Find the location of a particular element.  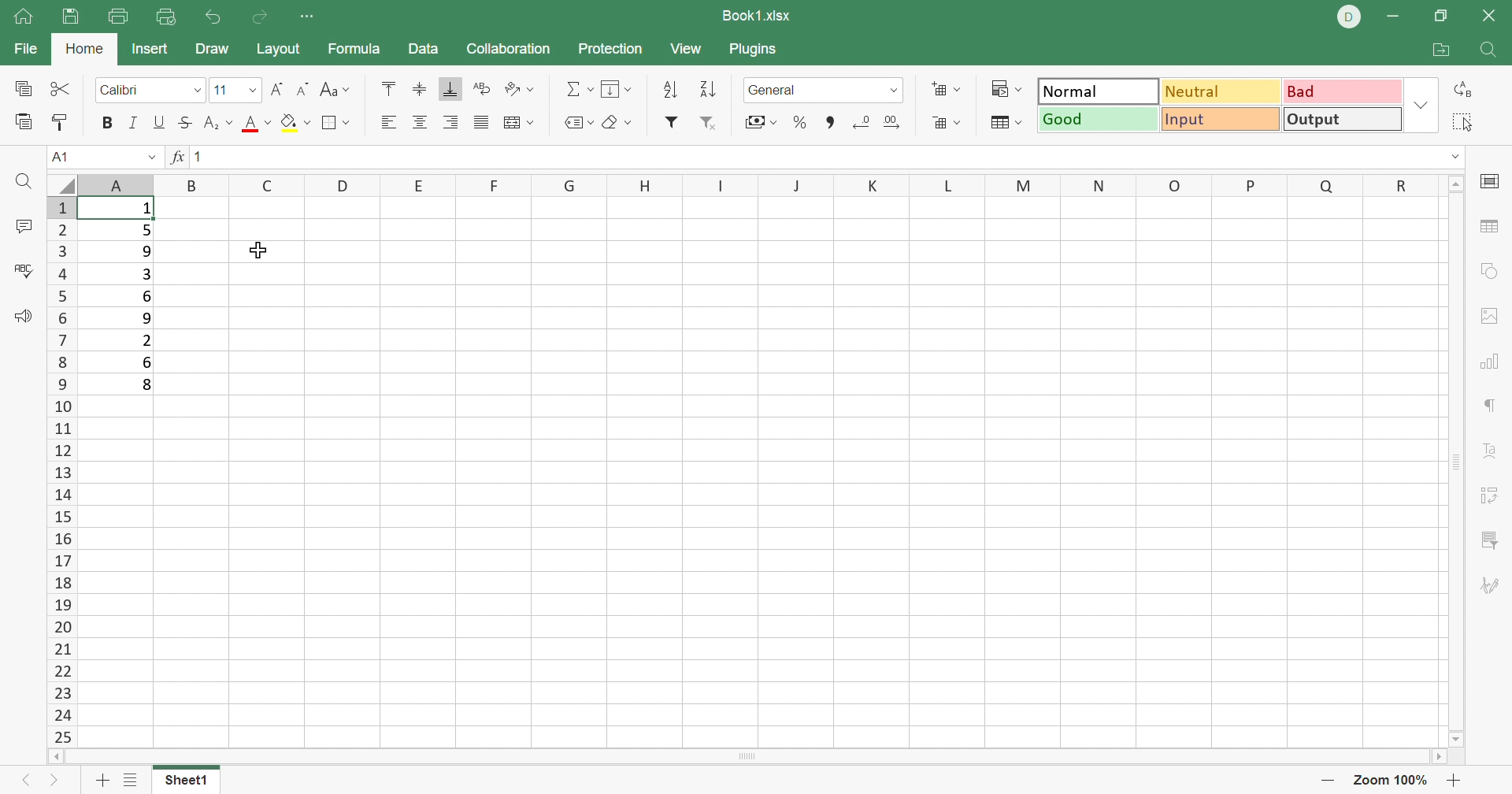

8 is located at coordinates (148, 386).